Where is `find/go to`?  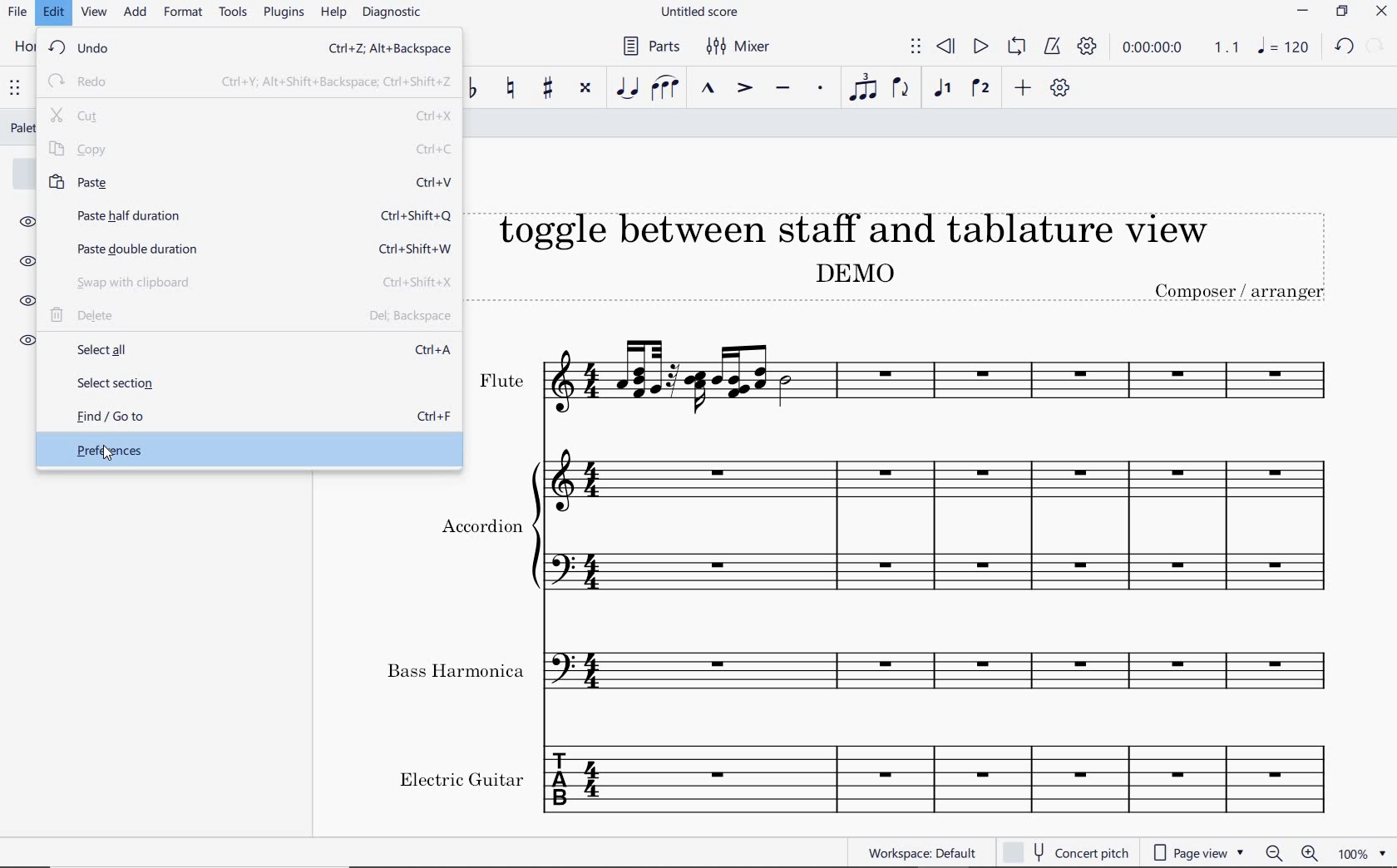
find/go to is located at coordinates (248, 417).